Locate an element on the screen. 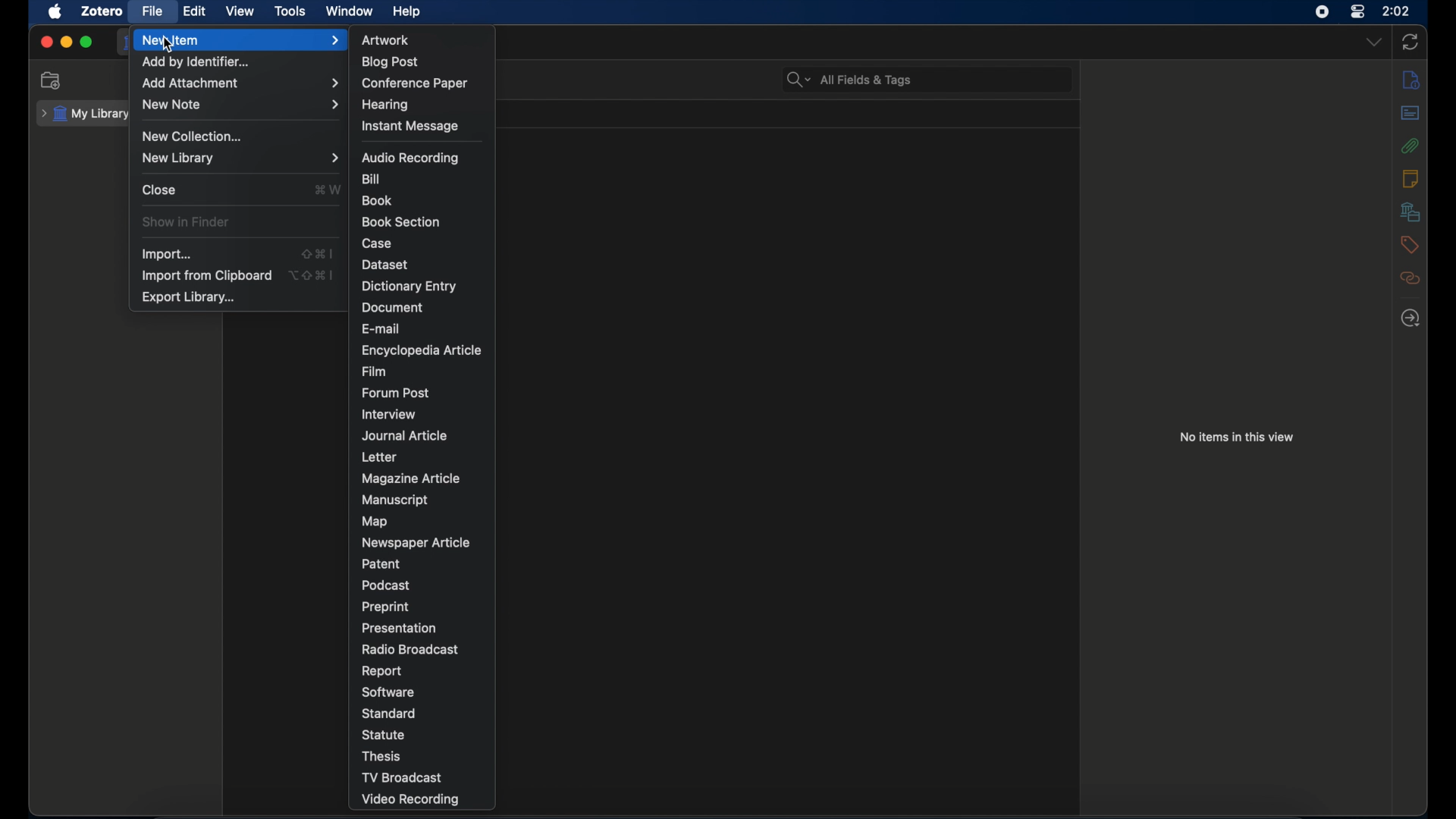  new collection is located at coordinates (194, 136).